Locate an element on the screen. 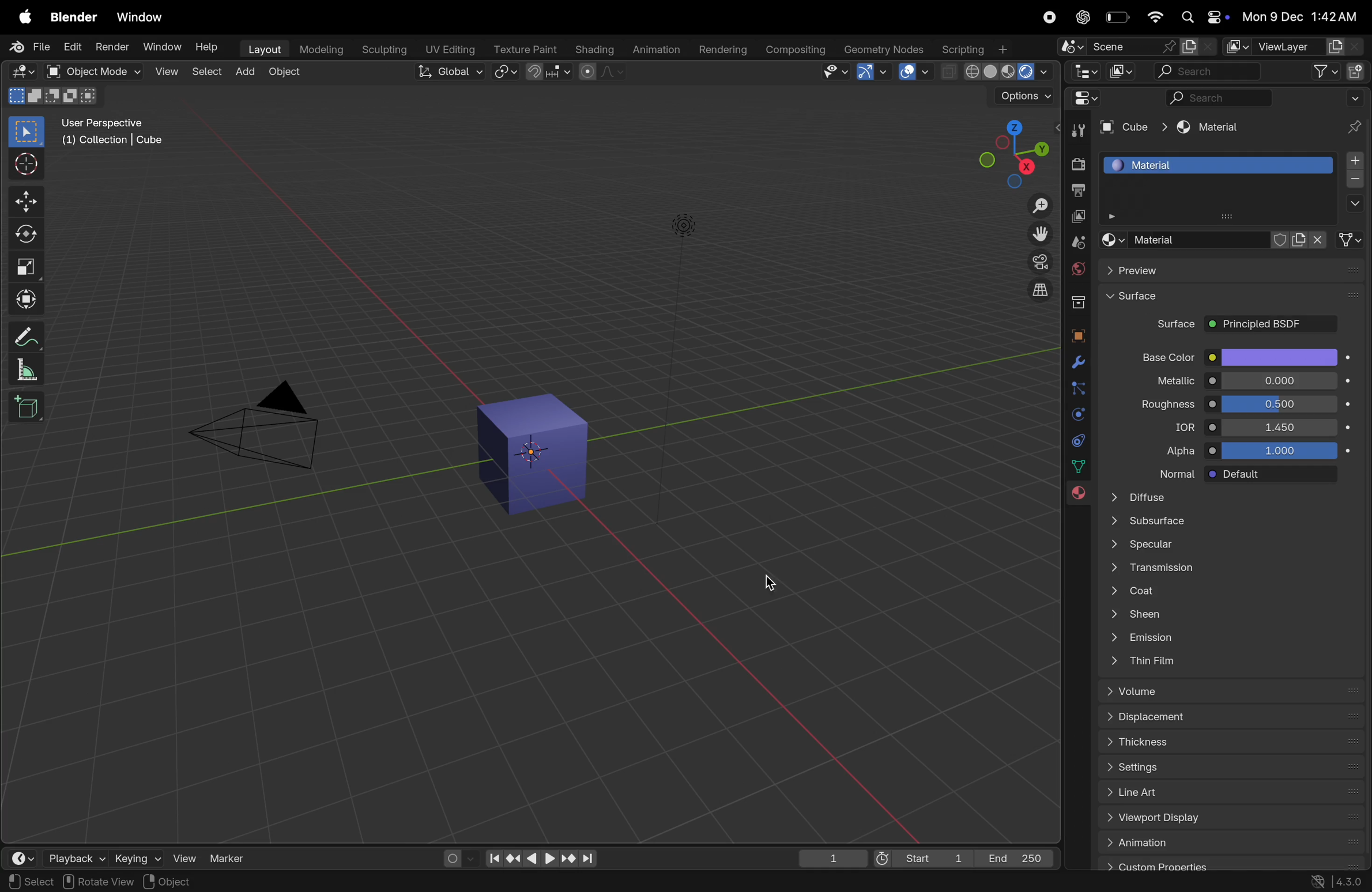 The height and width of the screenshot is (892, 1372). Surface is located at coordinates (1230, 300).